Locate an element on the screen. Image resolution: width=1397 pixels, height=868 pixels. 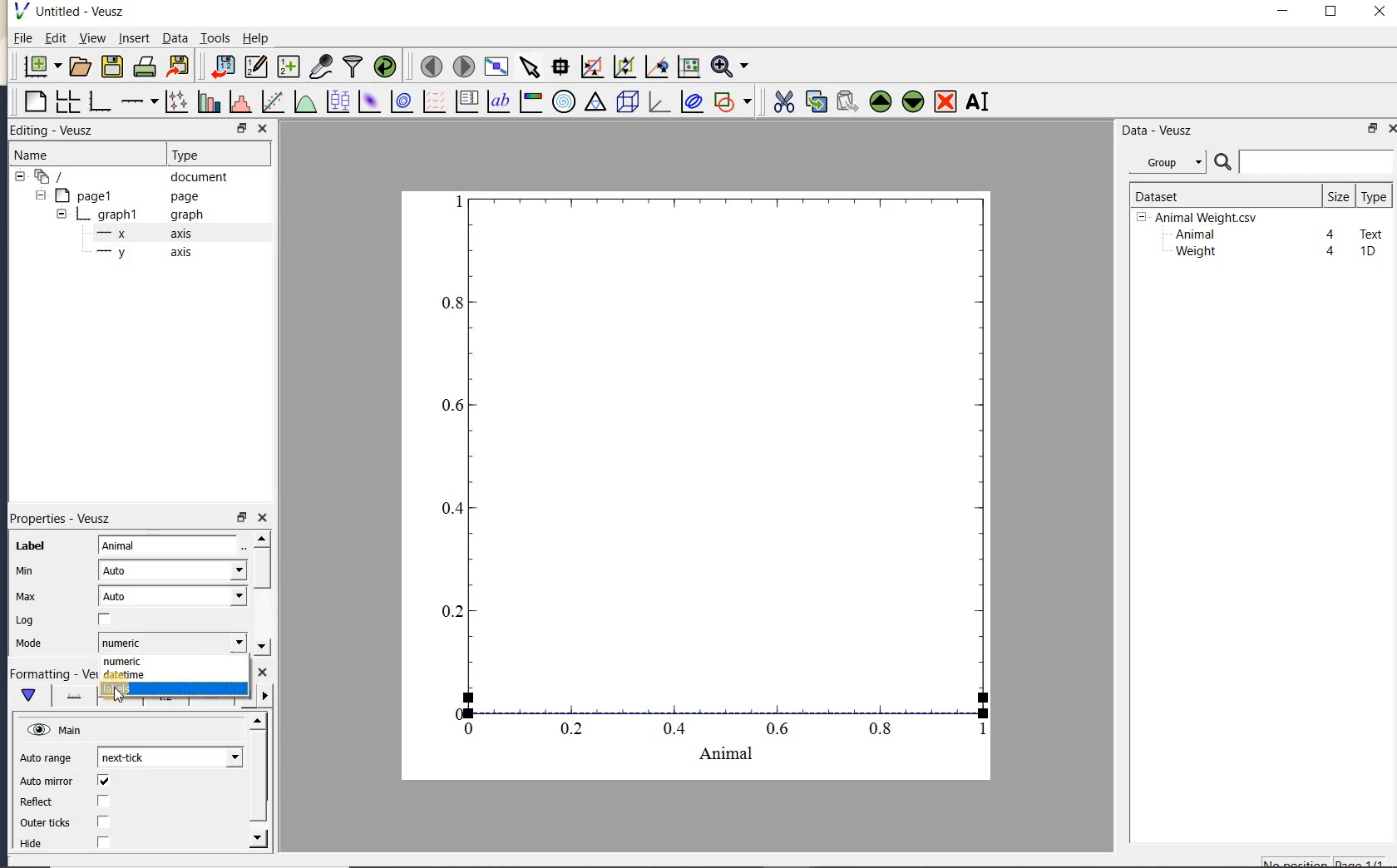
4 is located at coordinates (1331, 252).